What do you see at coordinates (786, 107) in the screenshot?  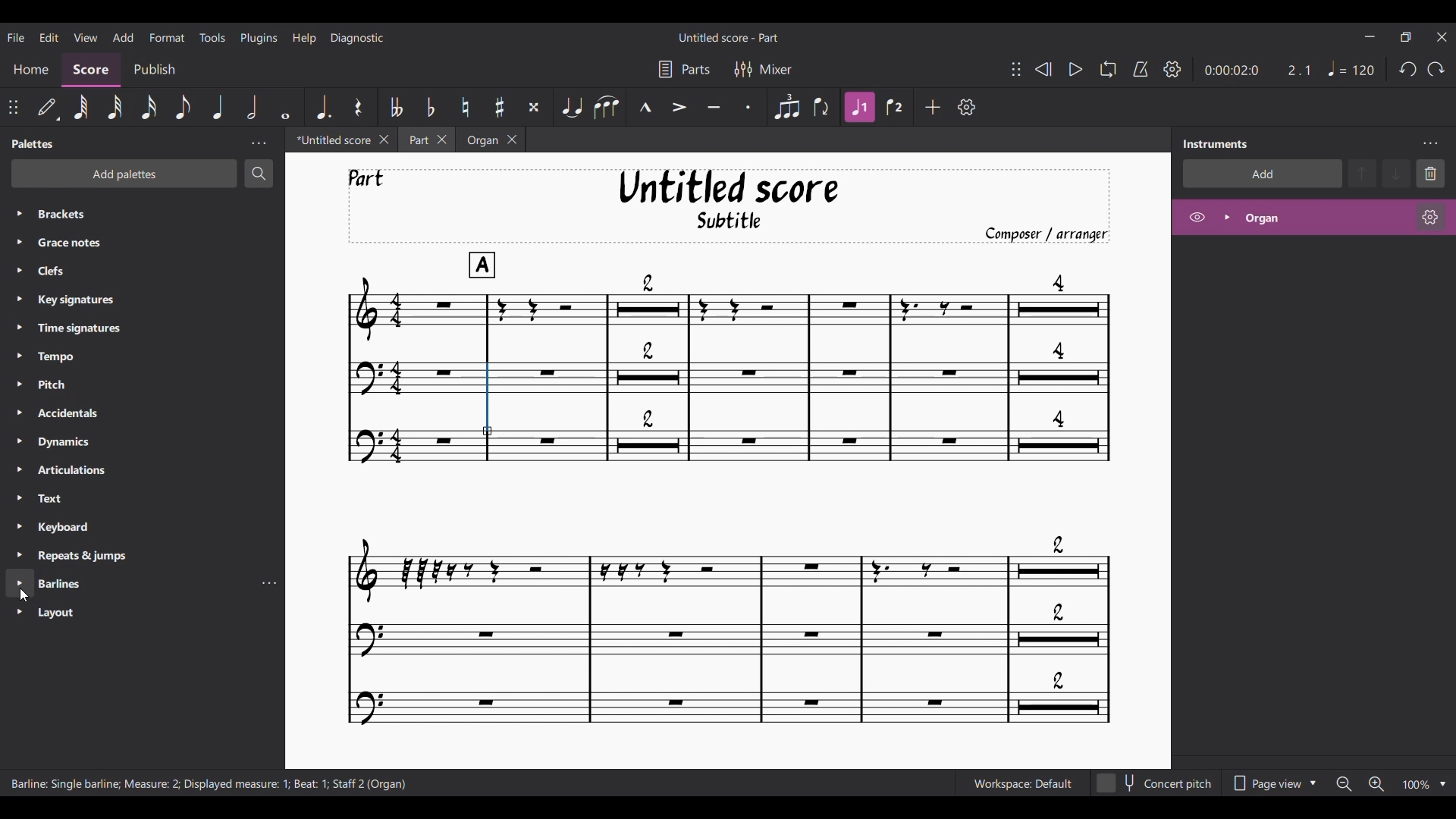 I see `Tuplet` at bounding box center [786, 107].